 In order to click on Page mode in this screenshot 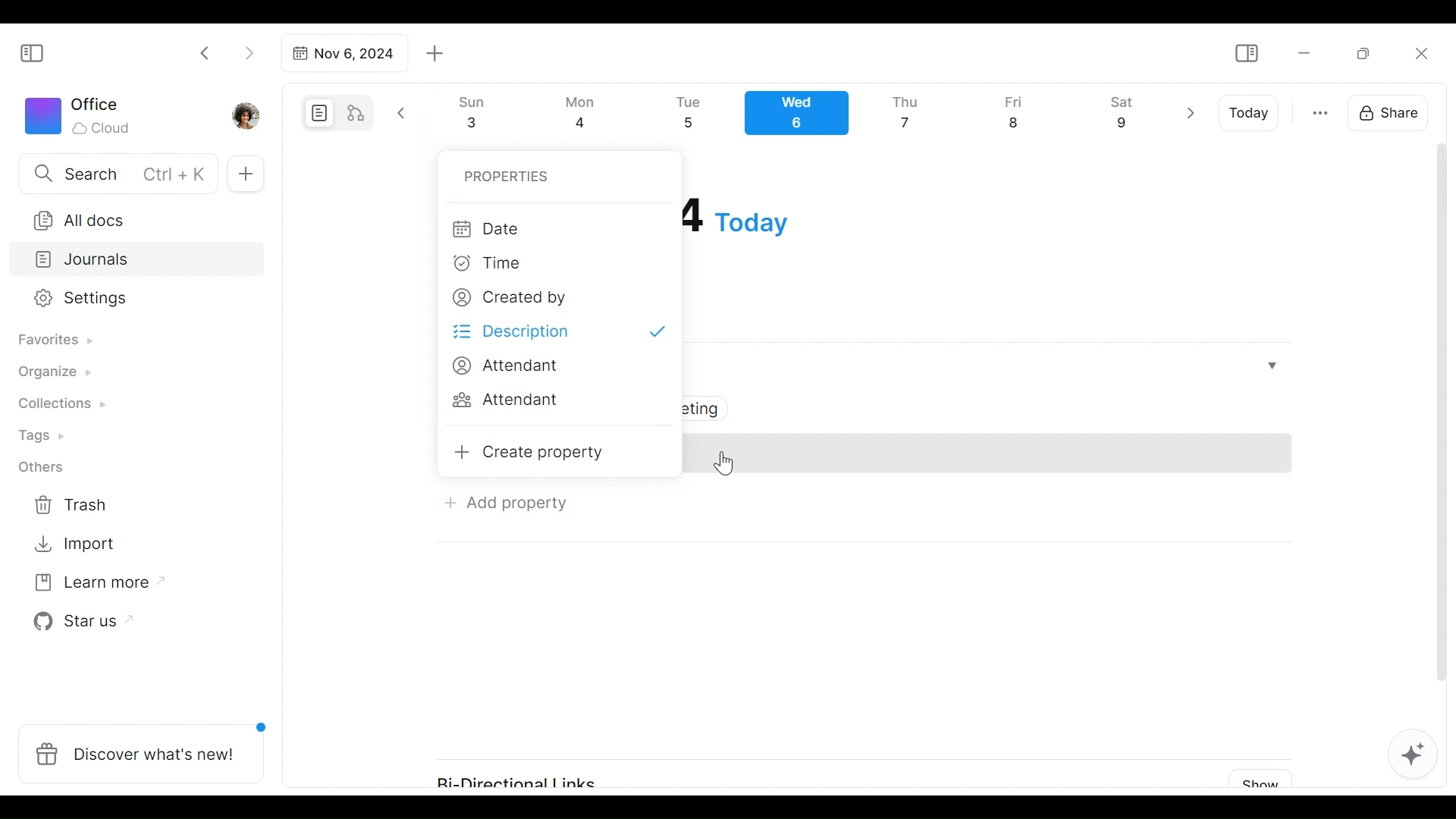, I will do `click(317, 113)`.